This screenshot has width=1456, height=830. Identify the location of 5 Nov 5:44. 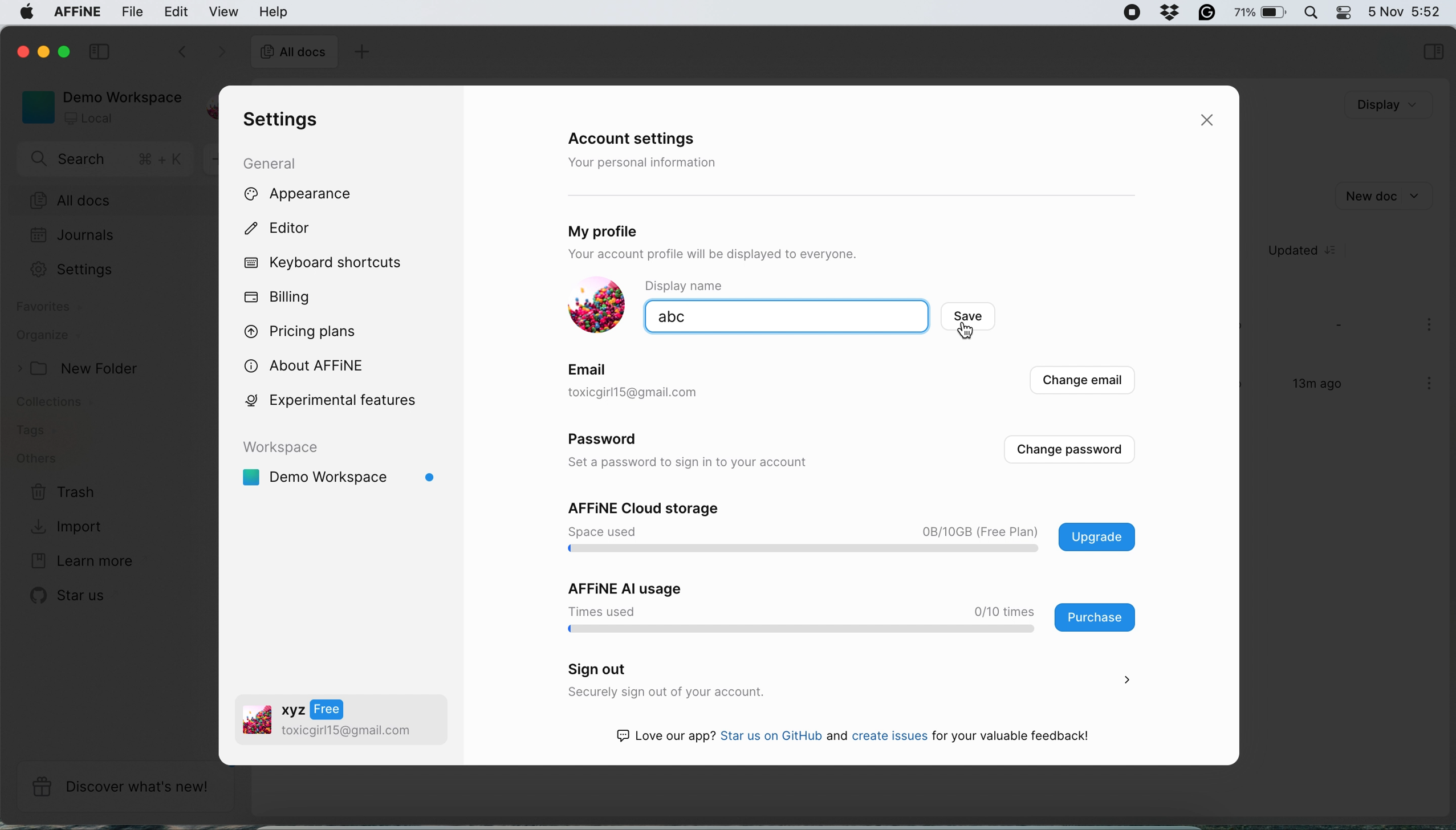
(1404, 10).